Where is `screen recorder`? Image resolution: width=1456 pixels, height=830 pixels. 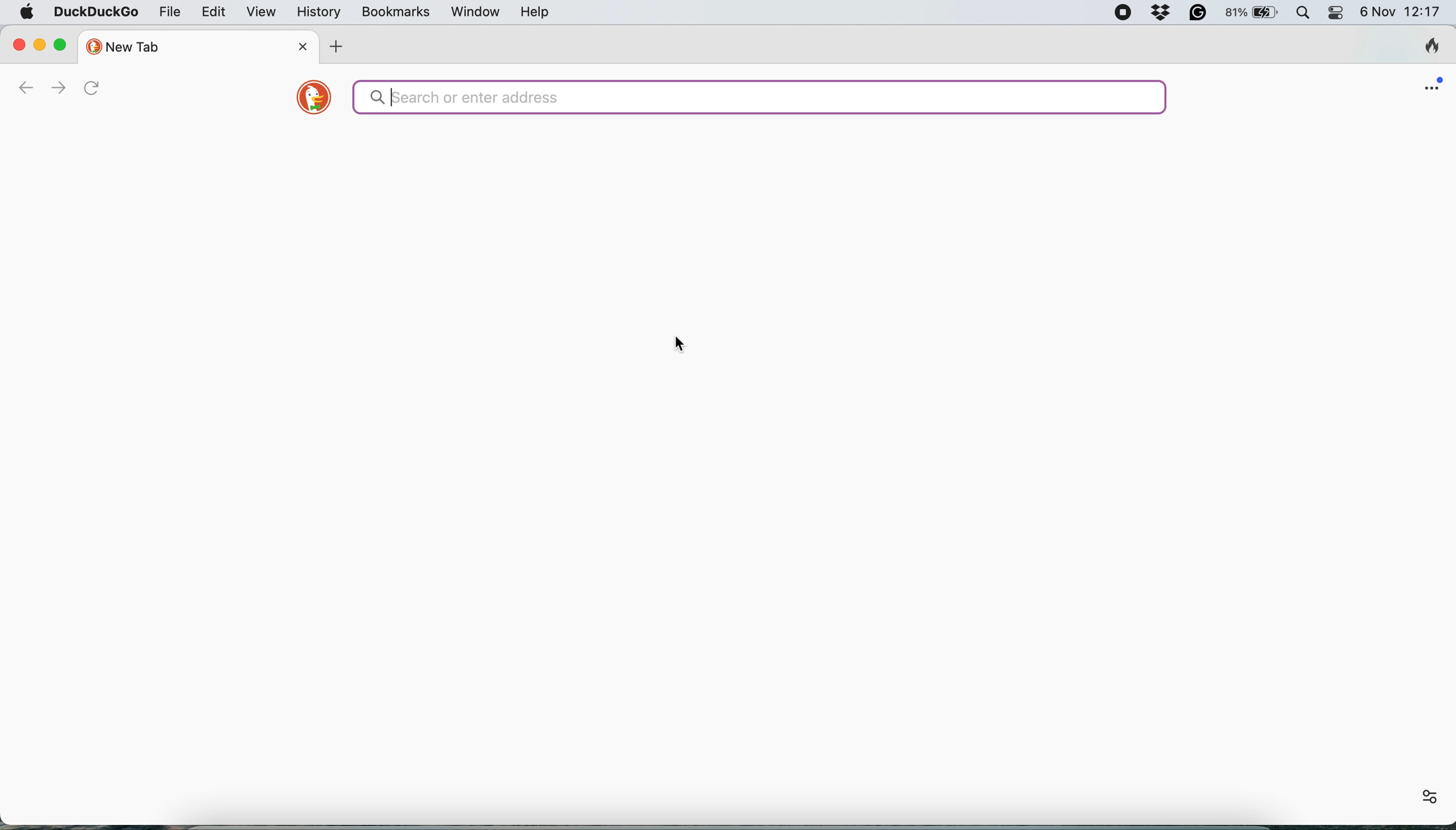 screen recorder is located at coordinates (1126, 15).